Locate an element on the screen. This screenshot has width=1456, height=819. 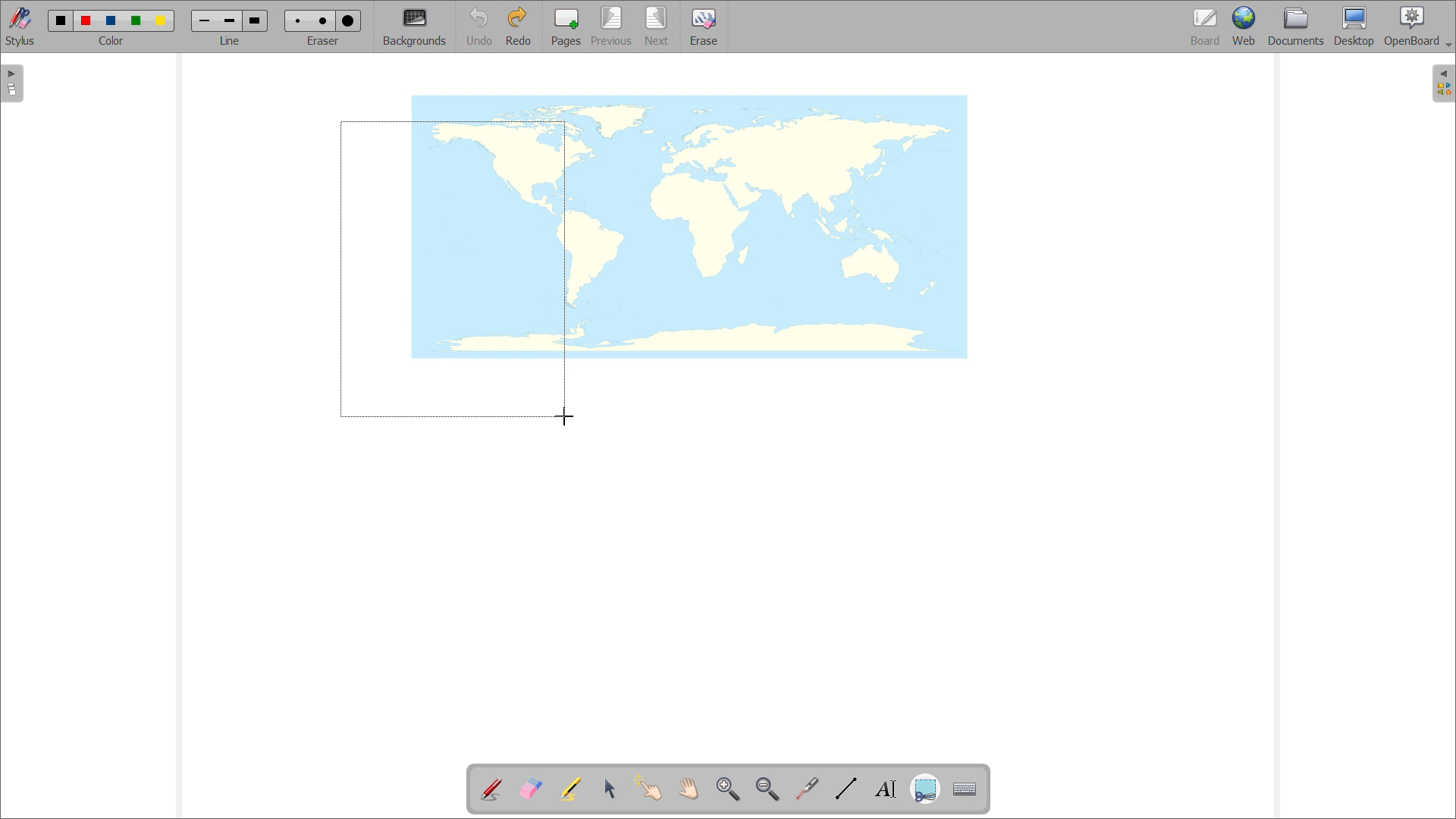
previous page is located at coordinates (611, 26).